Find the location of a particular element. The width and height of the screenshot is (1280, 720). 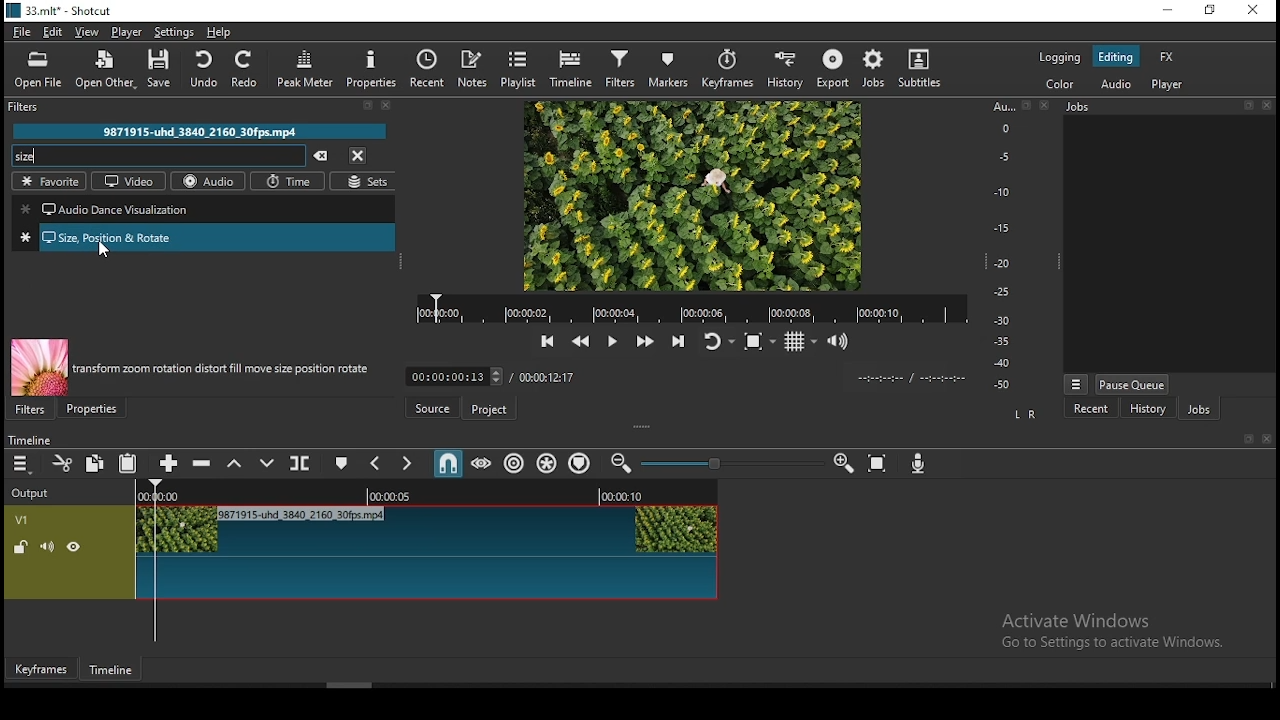

history is located at coordinates (1148, 409).